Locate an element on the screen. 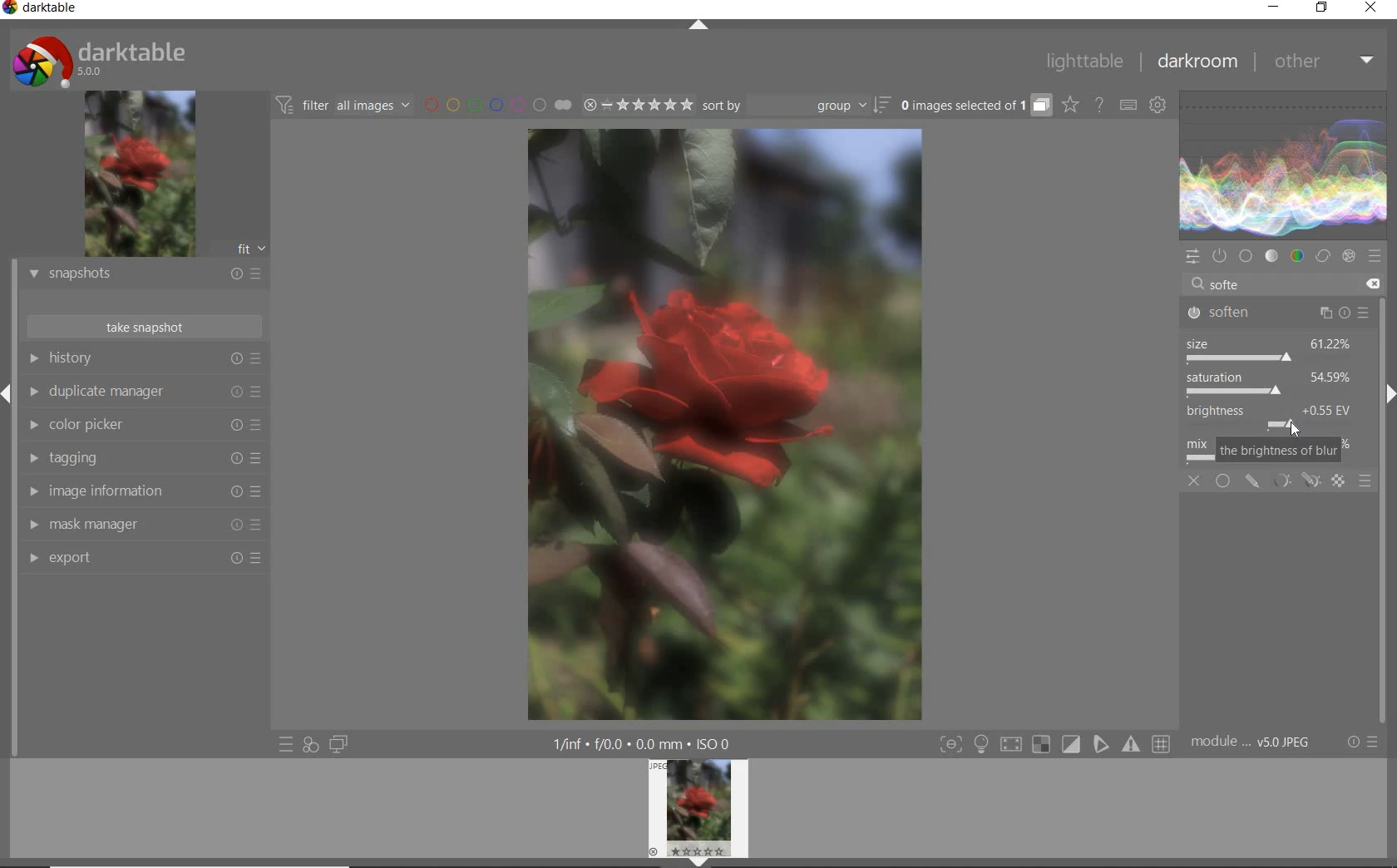  set keyboard shortcuts is located at coordinates (1128, 105).